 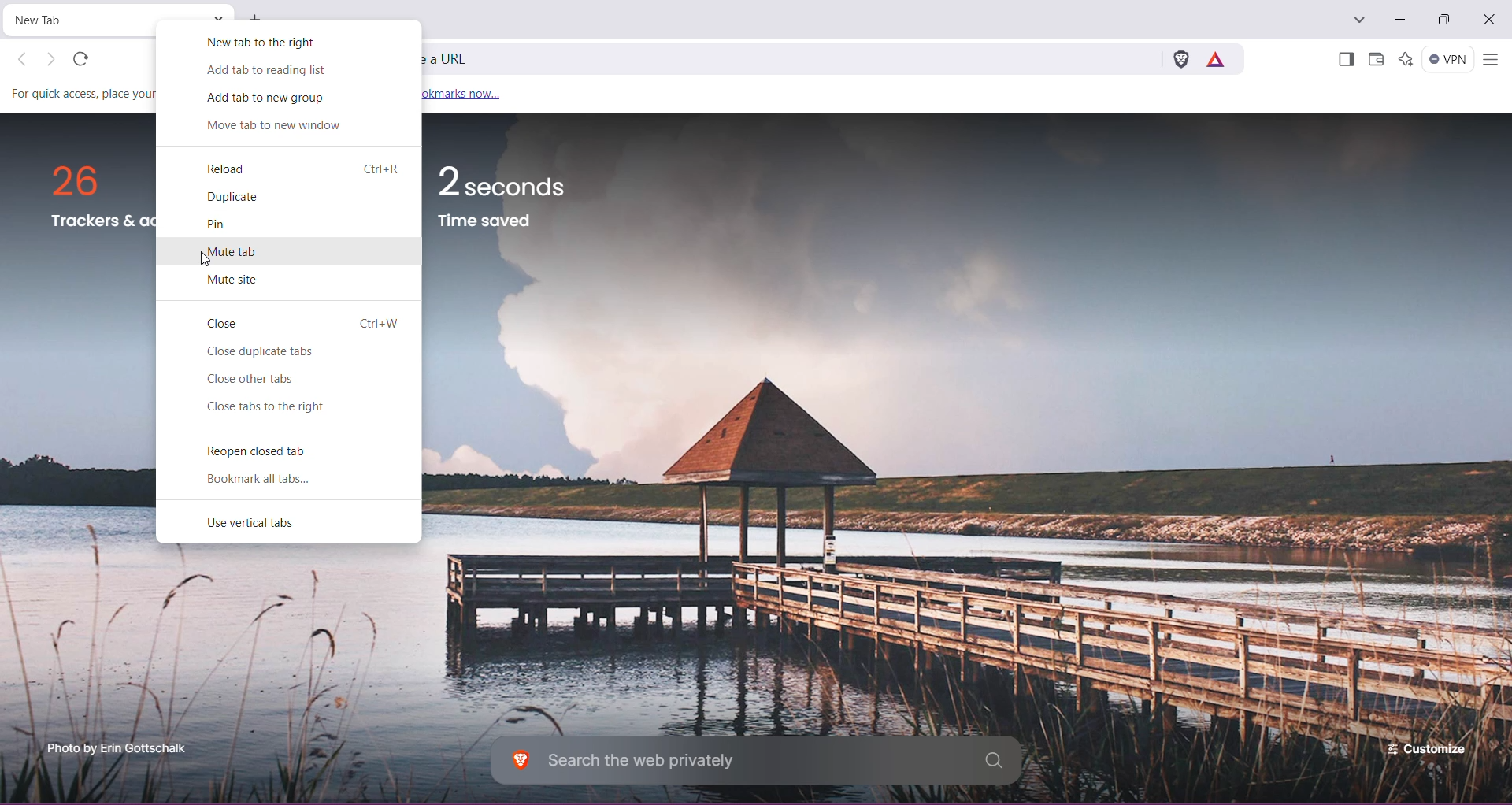 What do you see at coordinates (1345, 60) in the screenshot?
I see `Show Sidebar` at bounding box center [1345, 60].